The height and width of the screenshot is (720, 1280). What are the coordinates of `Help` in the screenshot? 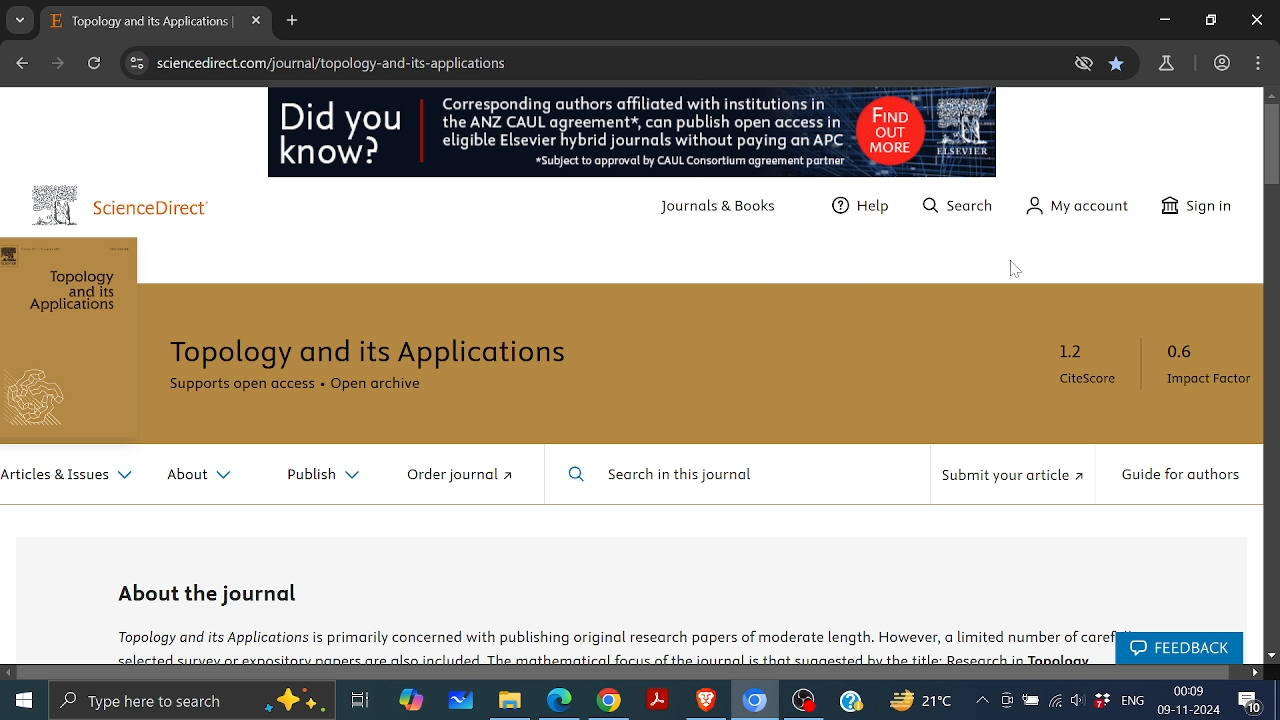 It's located at (851, 700).